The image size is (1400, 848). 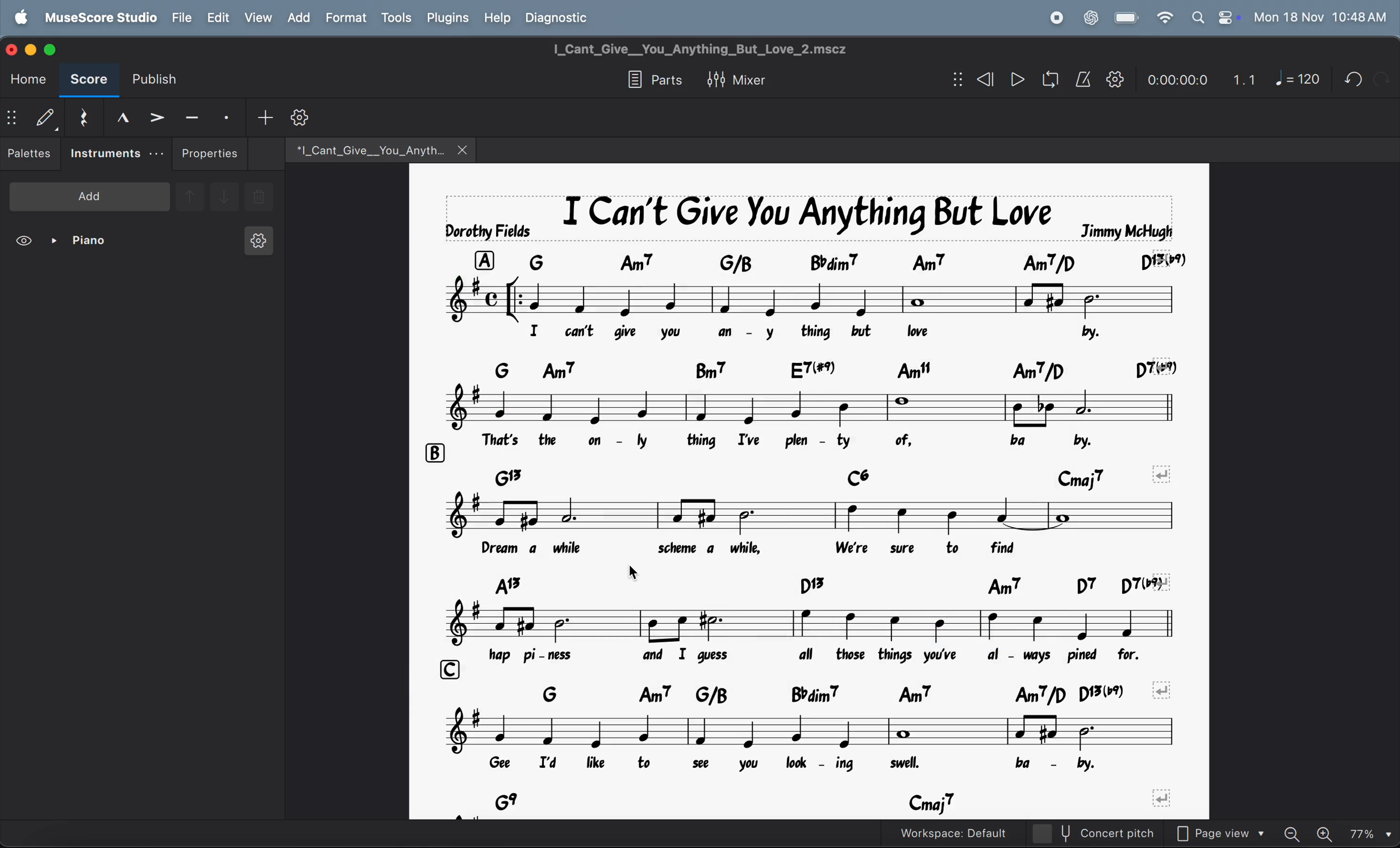 I want to click on Song title and author, so click(x=805, y=212).